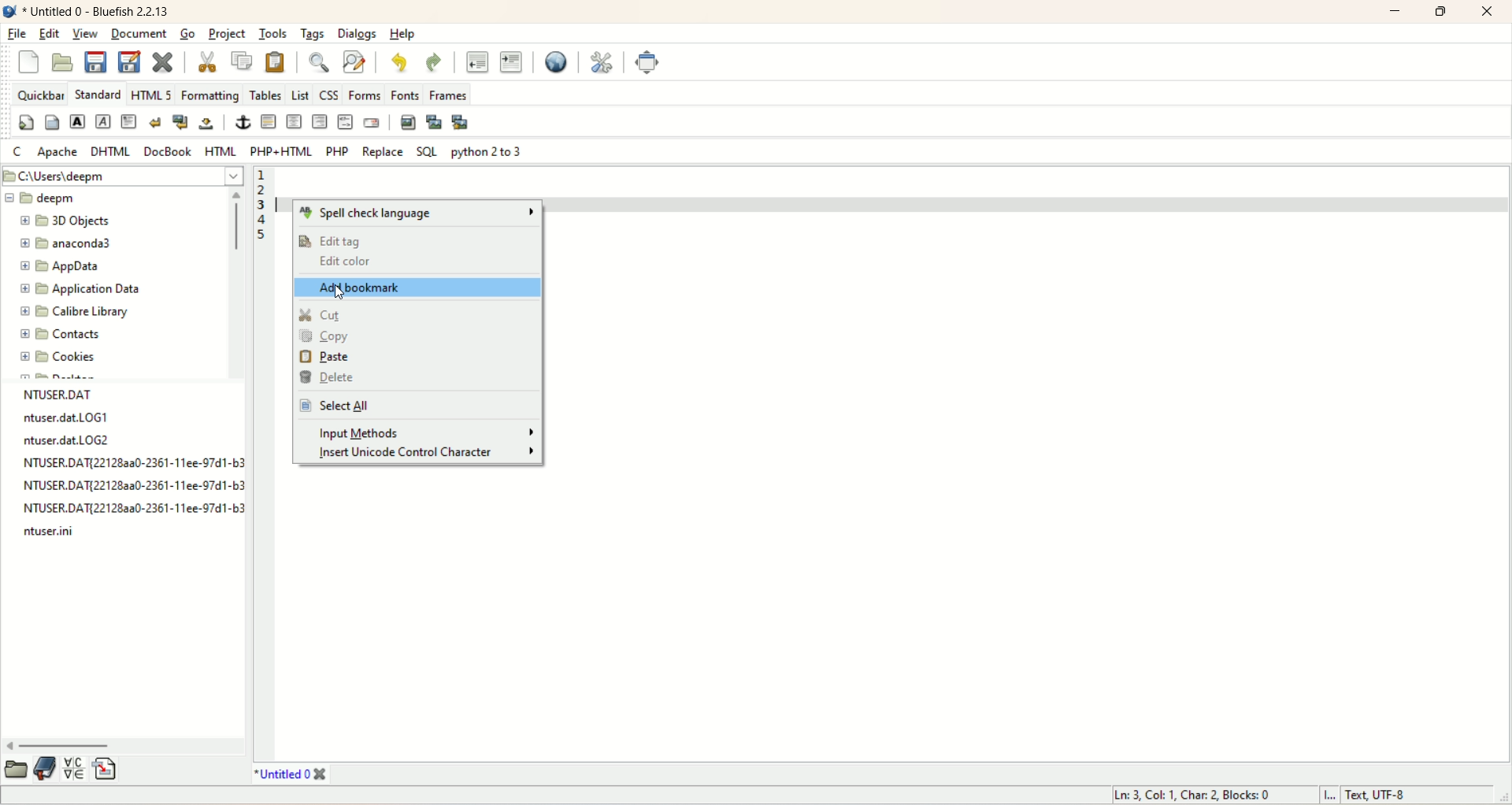  Describe the element at coordinates (71, 220) in the screenshot. I see `3D OBJECTS` at that location.